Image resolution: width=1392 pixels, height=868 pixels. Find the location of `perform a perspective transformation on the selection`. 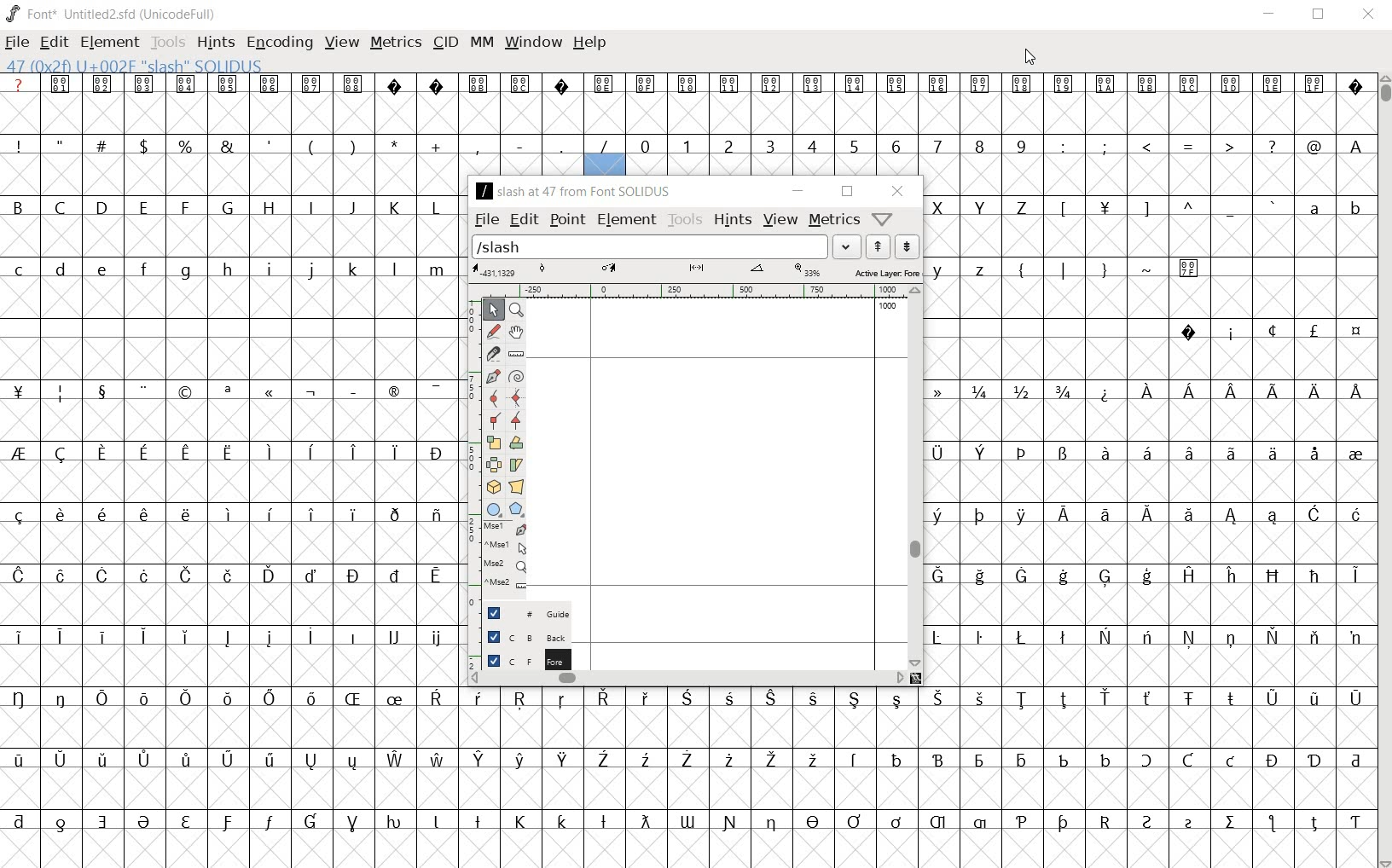

perform a perspective transformation on the selection is located at coordinates (515, 488).